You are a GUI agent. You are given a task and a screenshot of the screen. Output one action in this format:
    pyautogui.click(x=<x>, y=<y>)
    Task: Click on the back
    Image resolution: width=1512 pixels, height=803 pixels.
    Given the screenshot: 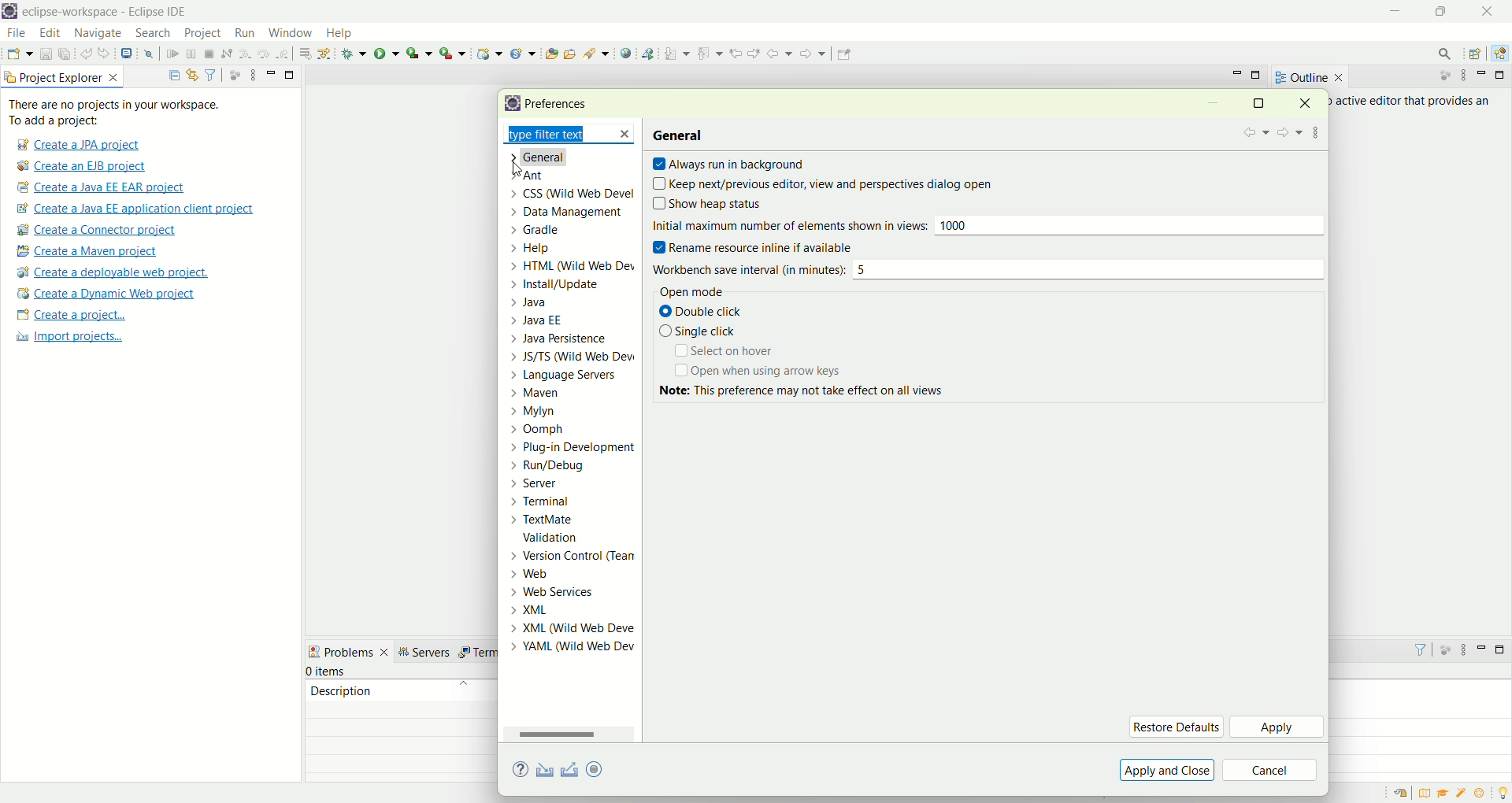 What is the action you would take?
    pyautogui.click(x=1254, y=133)
    